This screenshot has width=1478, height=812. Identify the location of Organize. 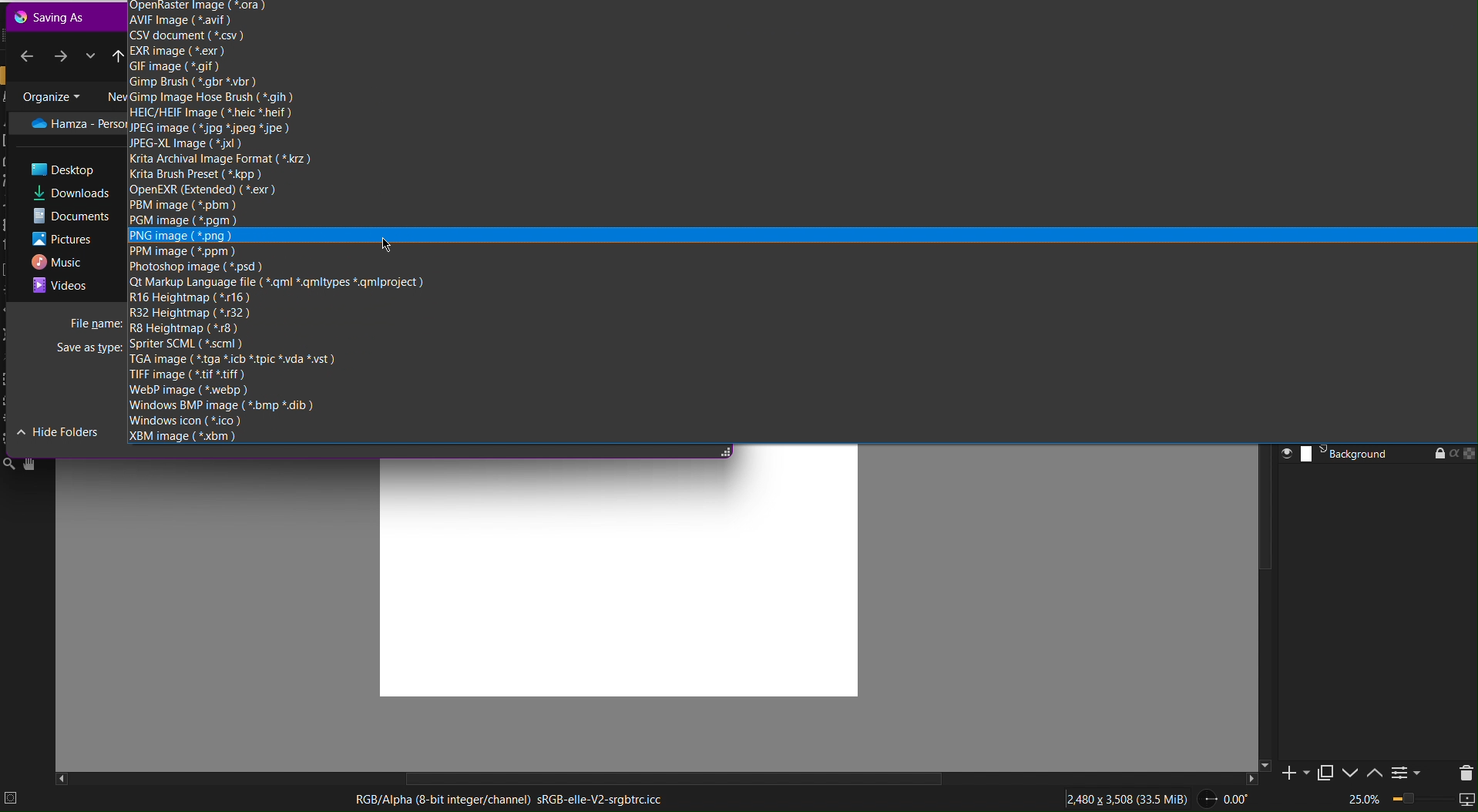
(50, 95).